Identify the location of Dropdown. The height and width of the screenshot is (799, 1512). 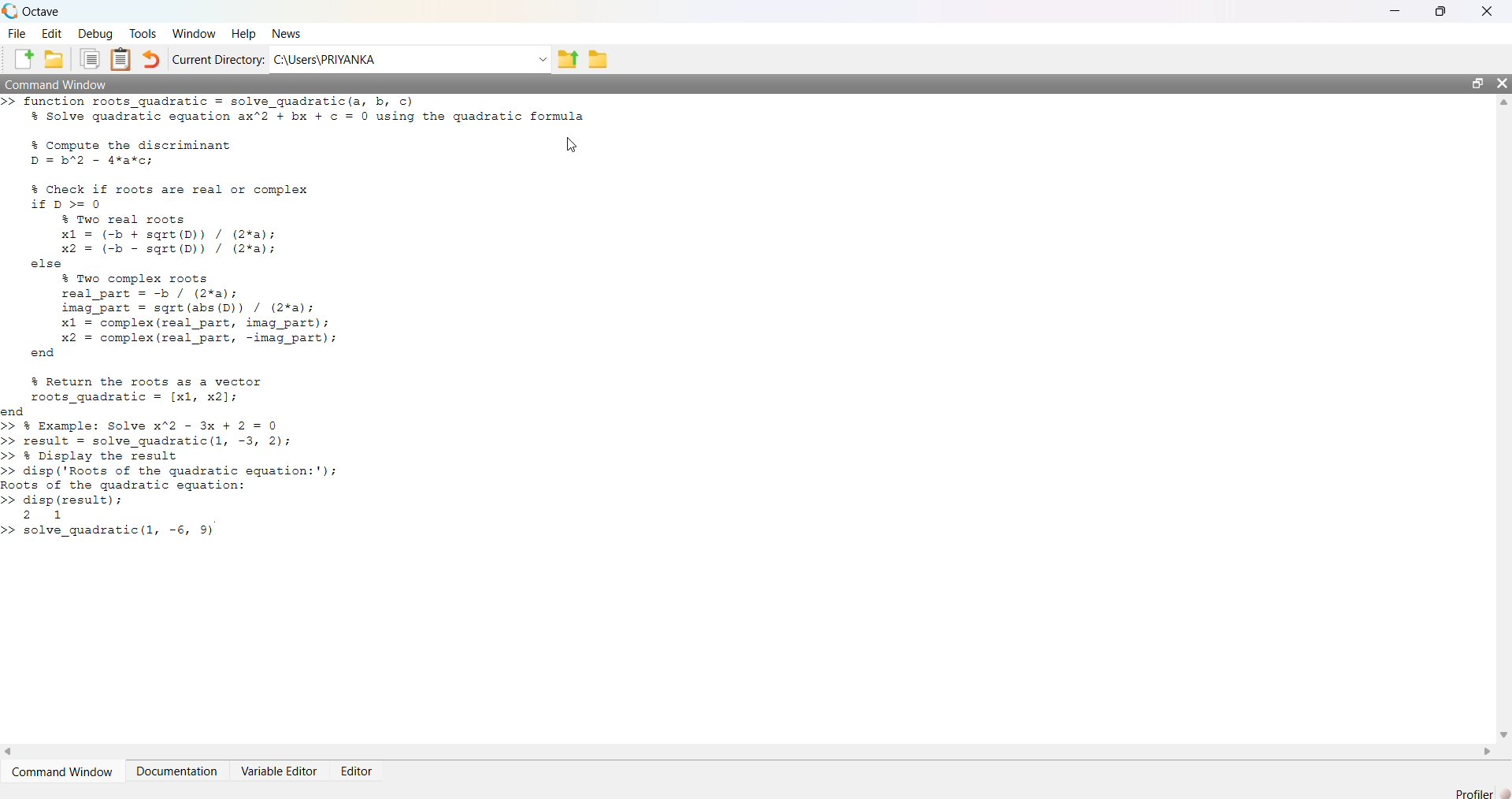
(542, 59).